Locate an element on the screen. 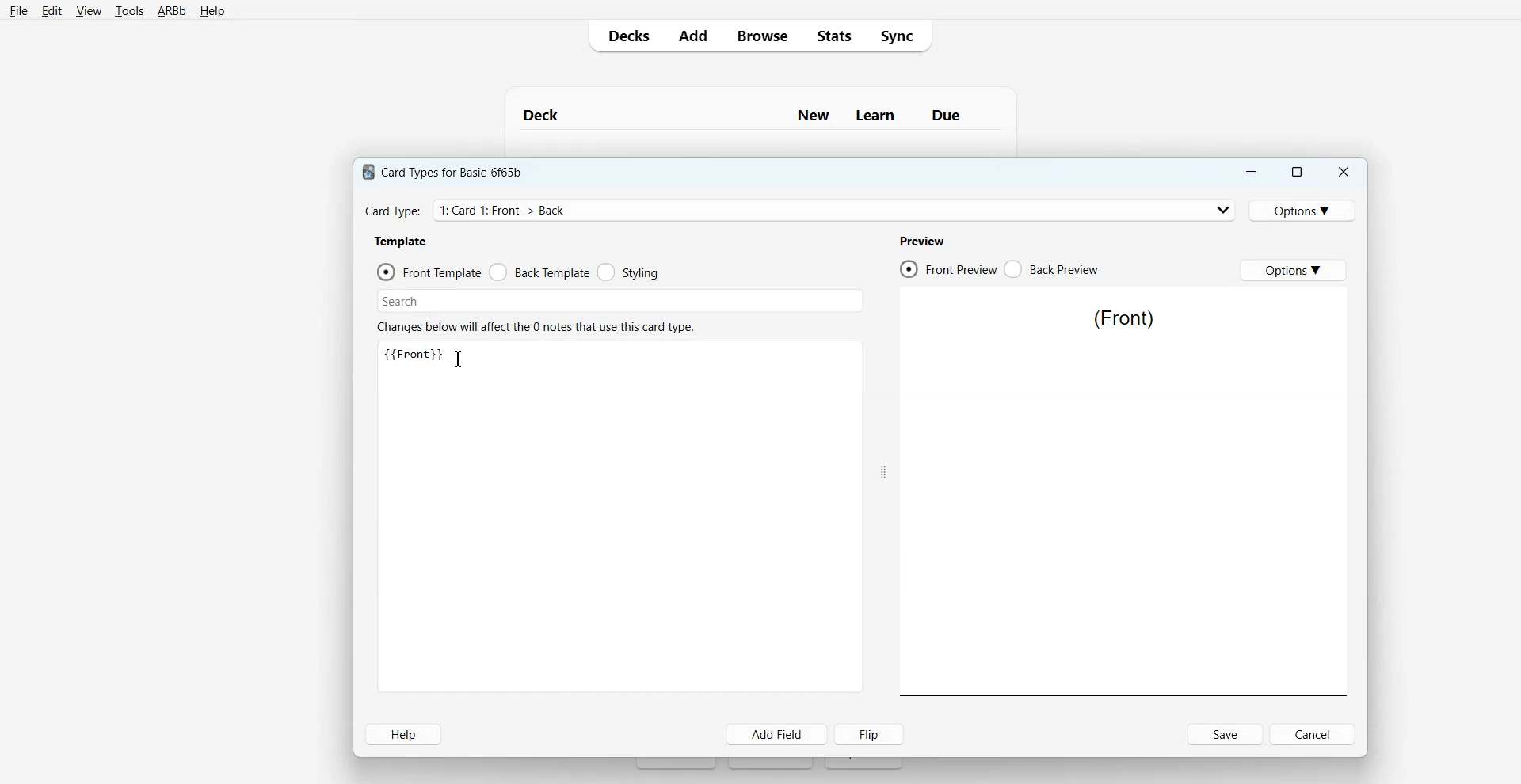  Search Bar is located at coordinates (619, 301).